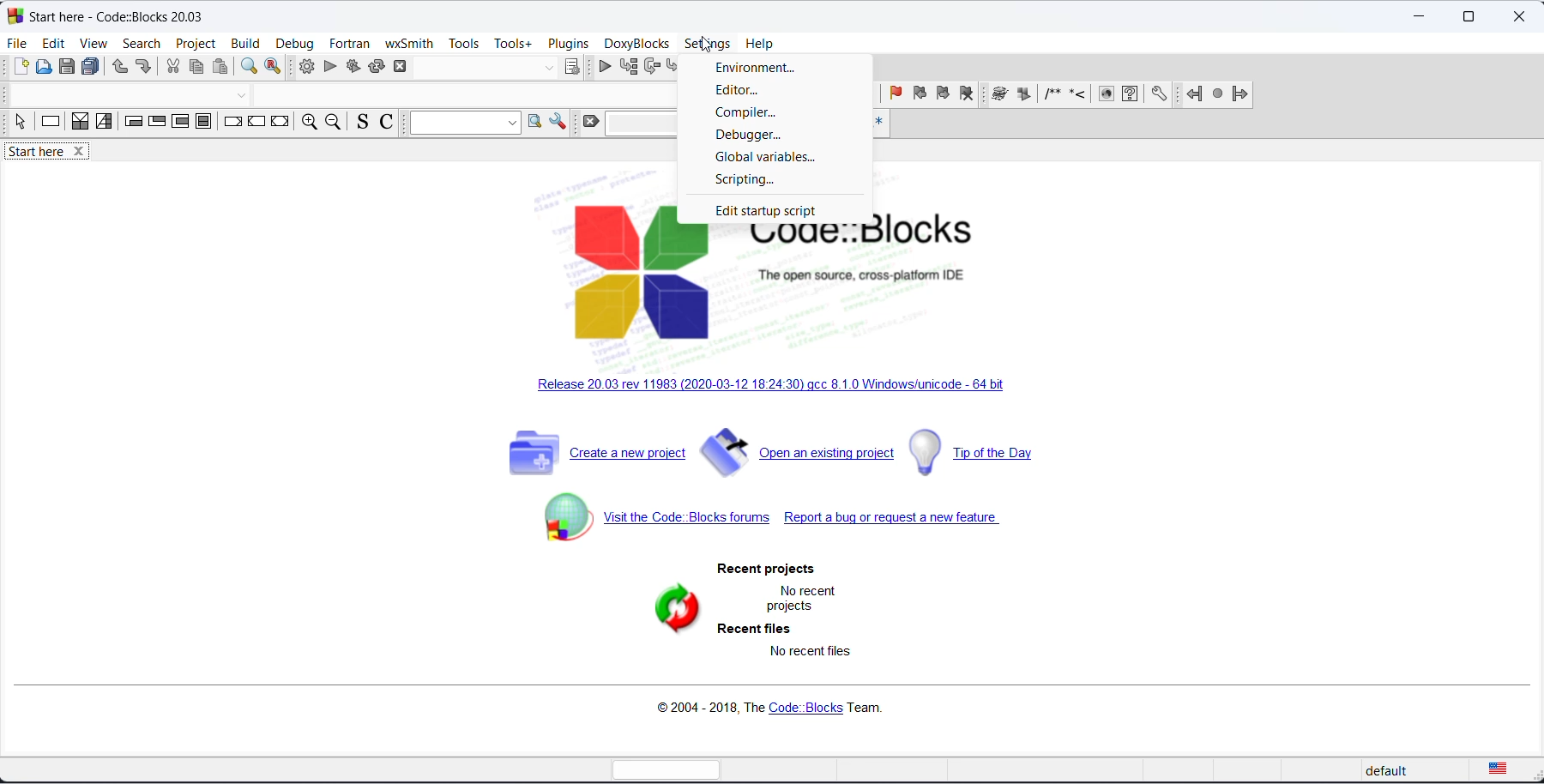 This screenshot has height=784, width=1544. I want to click on debug, so click(298, 43).